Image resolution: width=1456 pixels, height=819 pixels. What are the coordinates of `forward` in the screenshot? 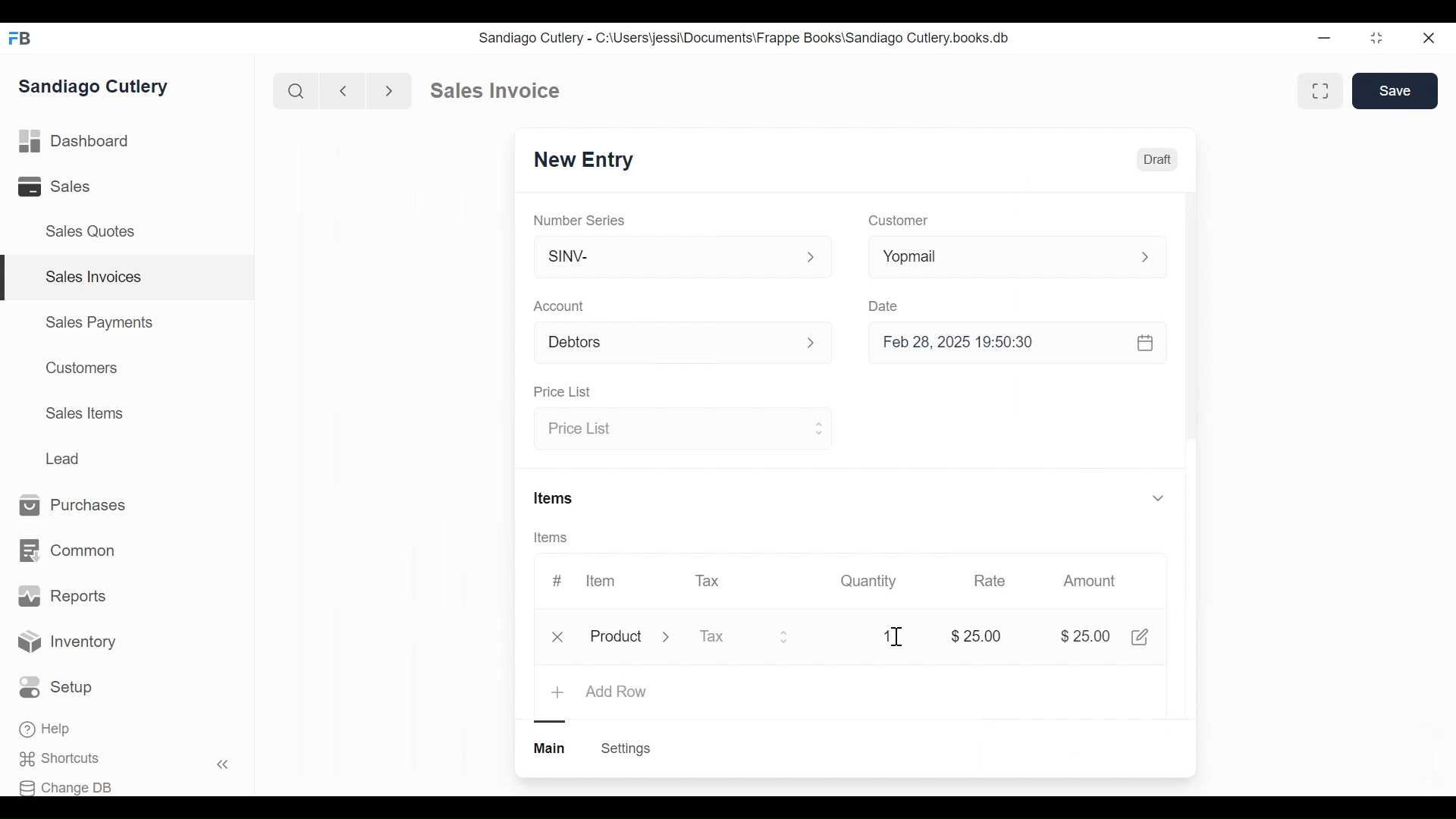 It's located at (390, 89).